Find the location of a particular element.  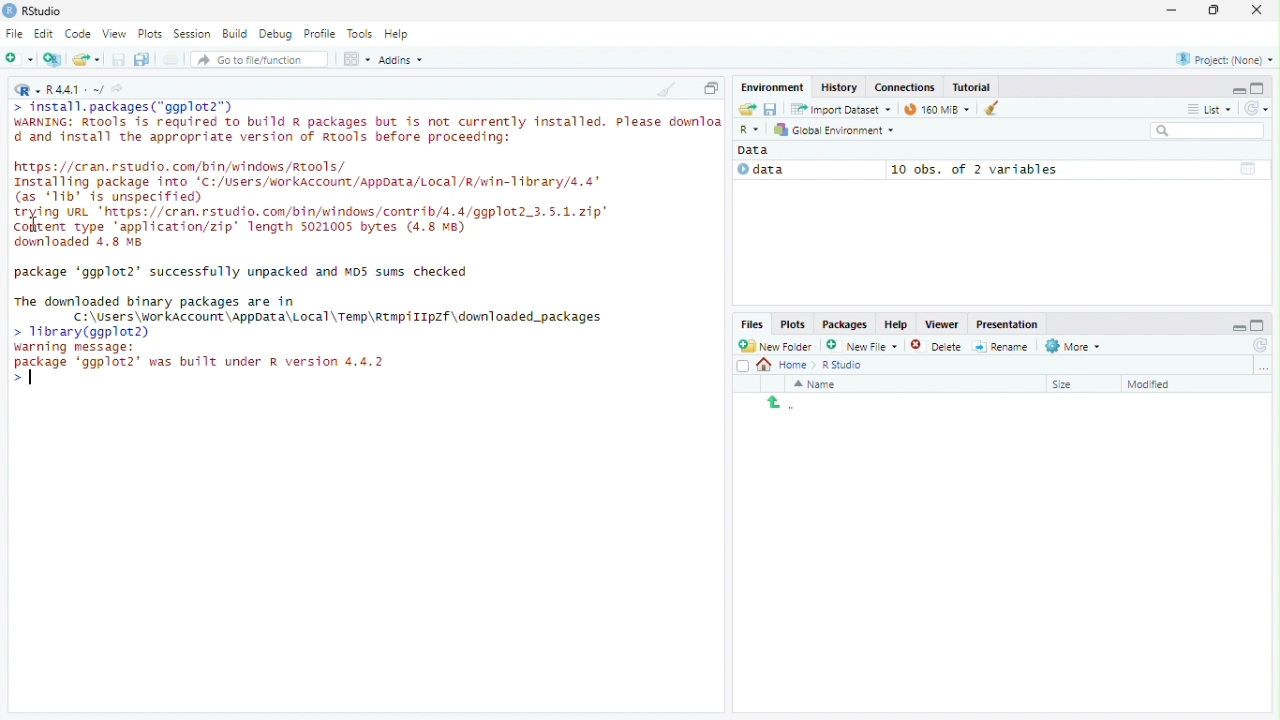

Global environment is located at coordinates (835, 130).